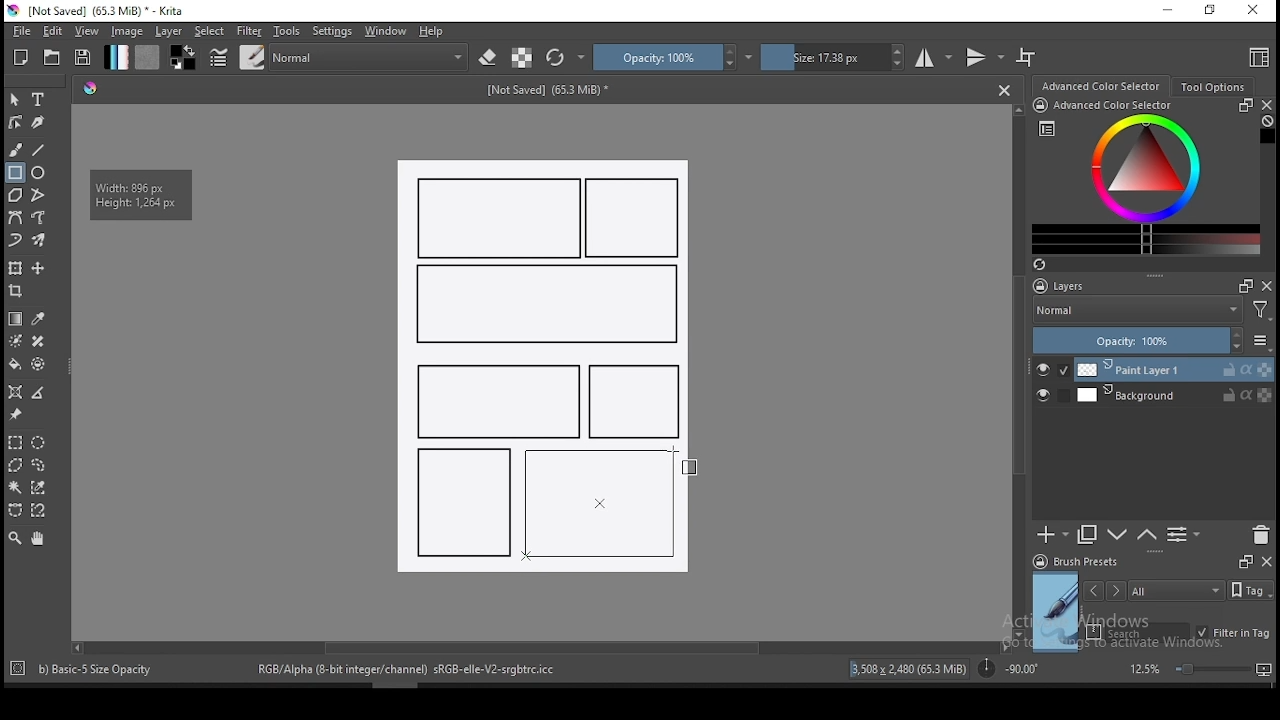 This screenshot has height=720, width=1280. I want to click on choose workspace, so click(1257, 57).